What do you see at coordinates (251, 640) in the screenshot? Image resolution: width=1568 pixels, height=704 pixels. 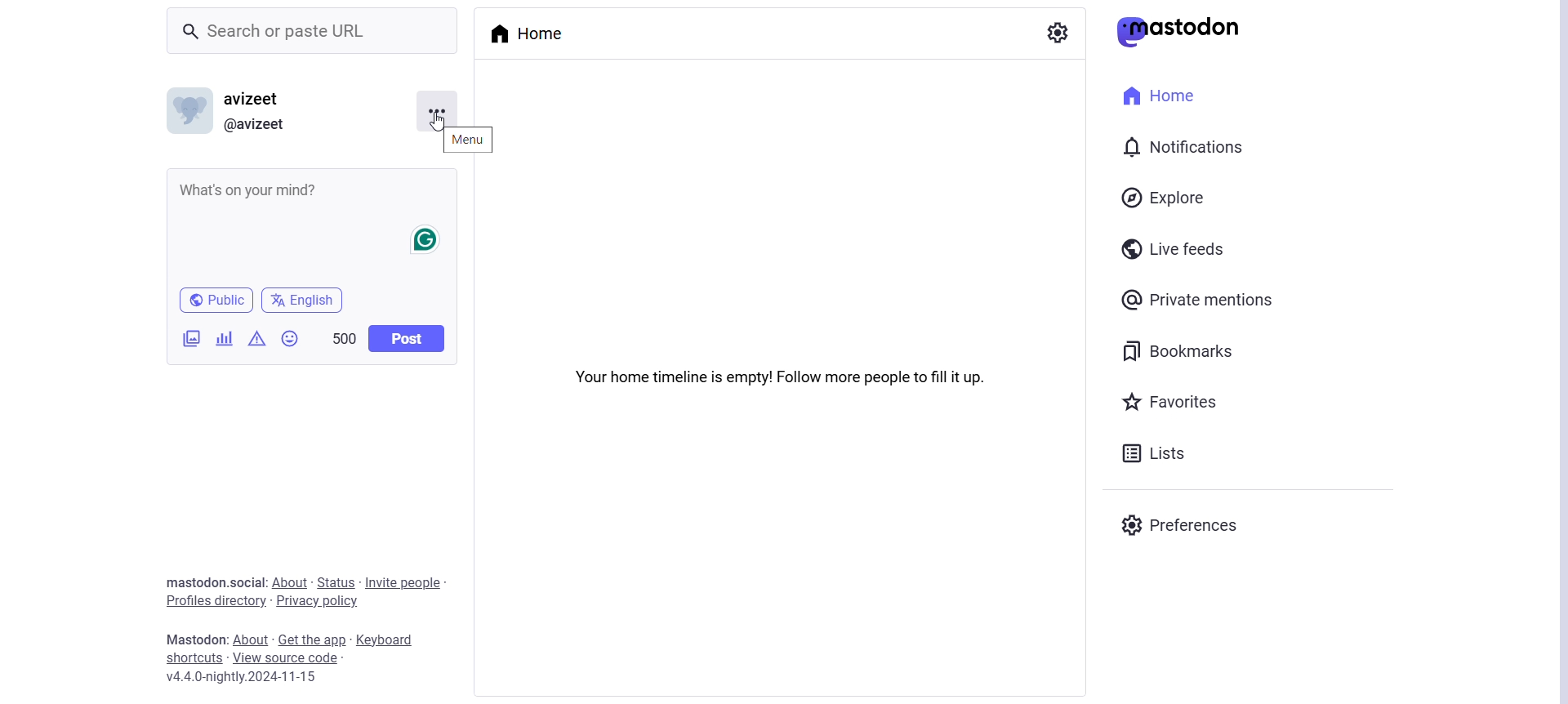 I see `About` at bounding box center [251, 640].